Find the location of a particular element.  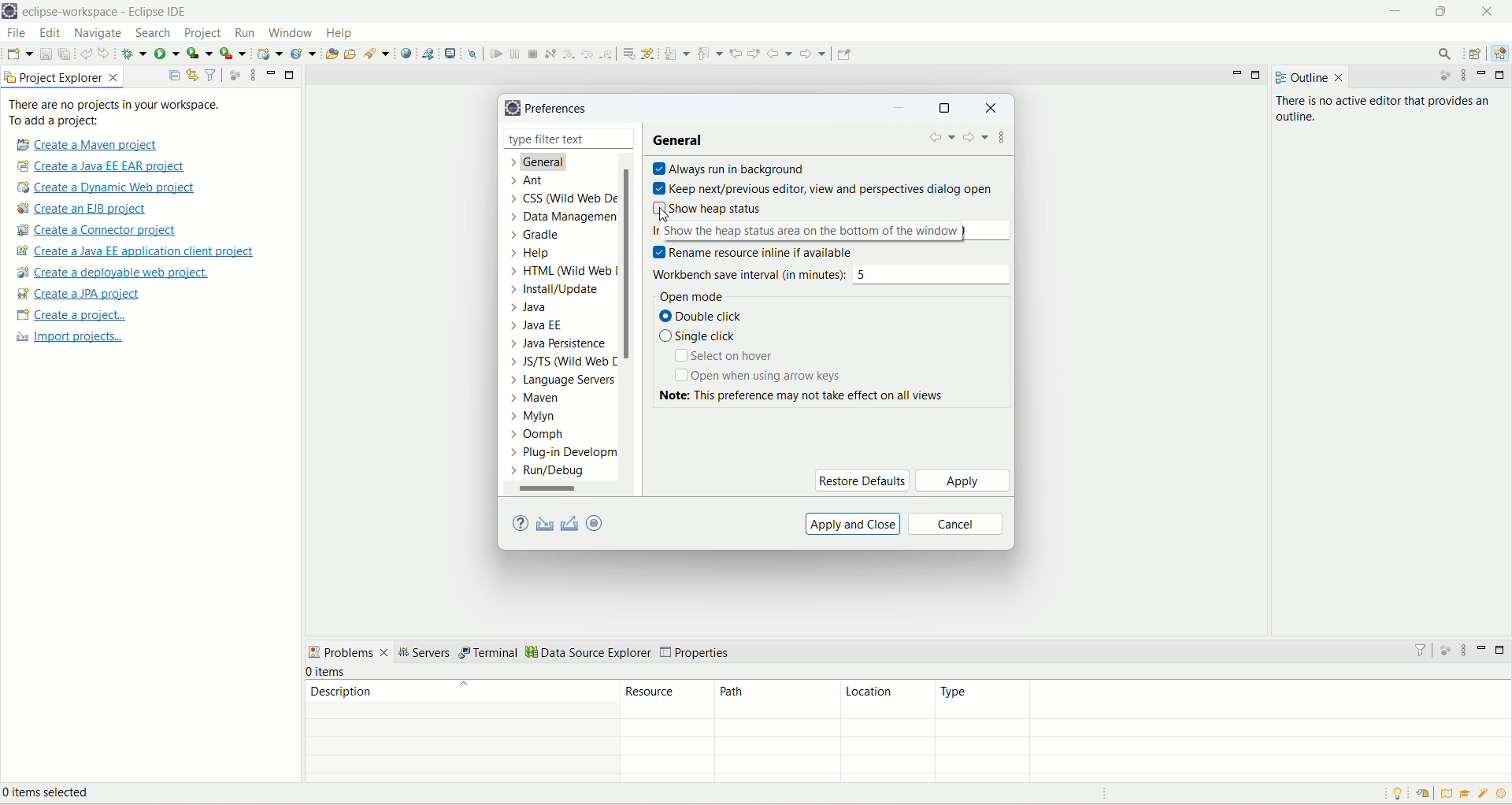

data management is located at coordinates (568, 219).